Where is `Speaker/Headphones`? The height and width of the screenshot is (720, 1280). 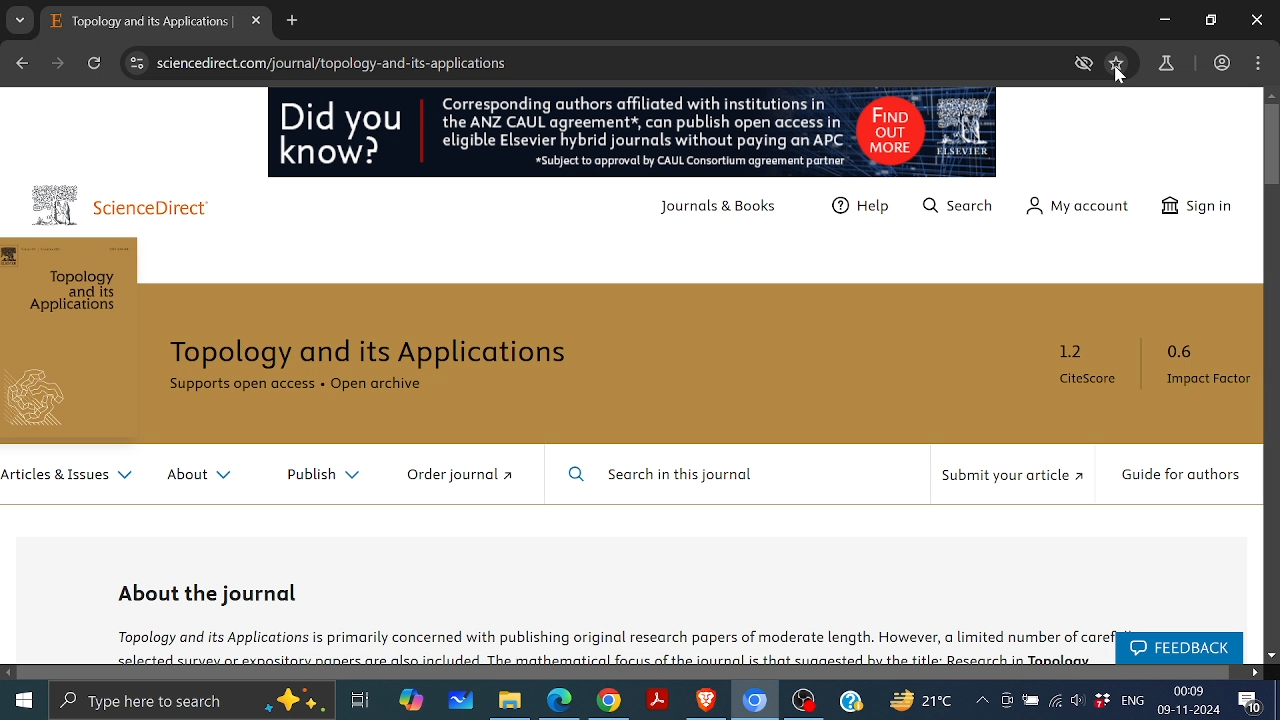 Speaker/Headphones is located at coordinates (1078, 698).